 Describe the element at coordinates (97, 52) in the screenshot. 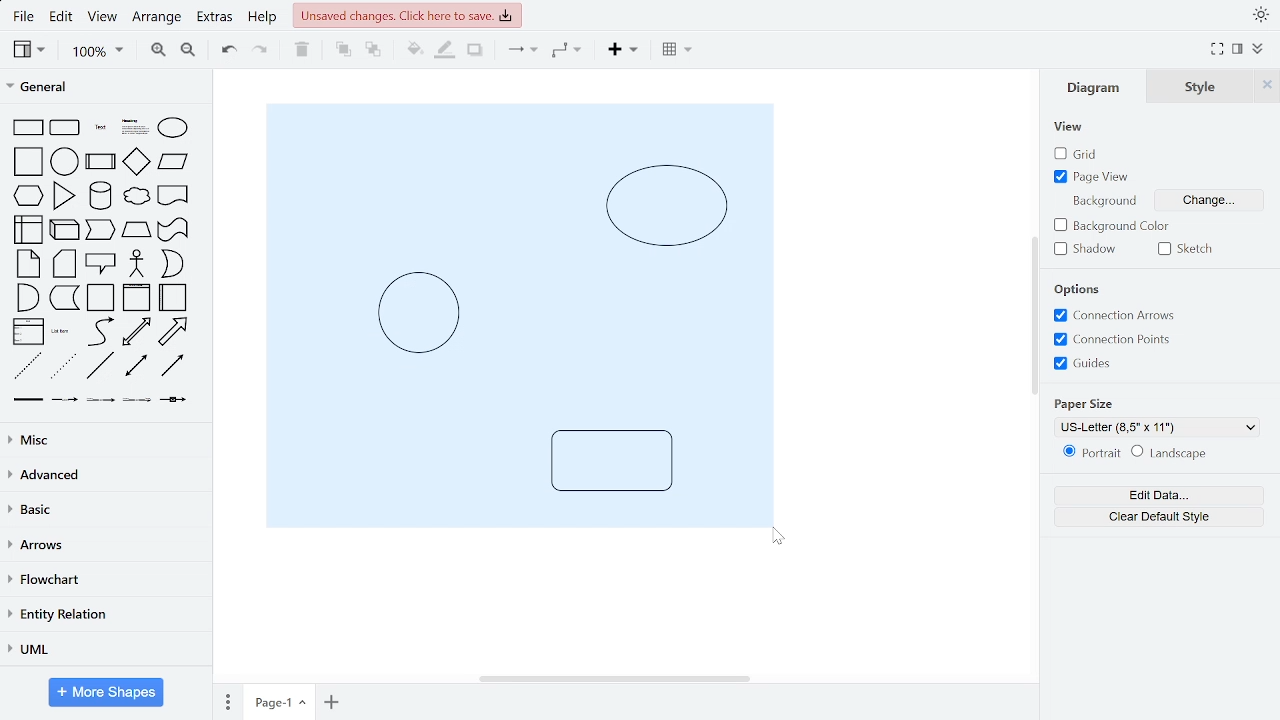

I see `100%` at that location.